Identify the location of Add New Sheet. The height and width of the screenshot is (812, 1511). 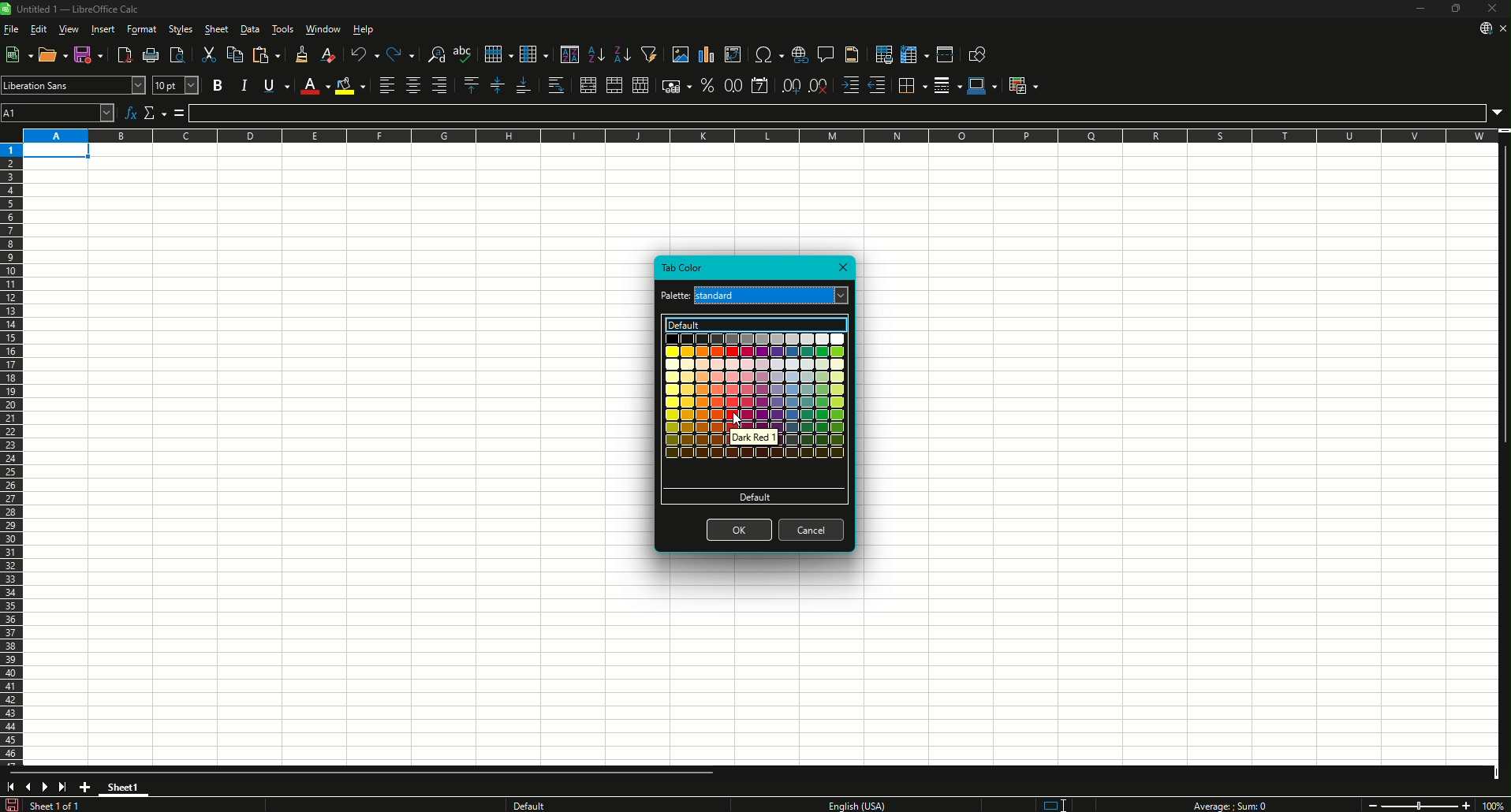
(85, 787).